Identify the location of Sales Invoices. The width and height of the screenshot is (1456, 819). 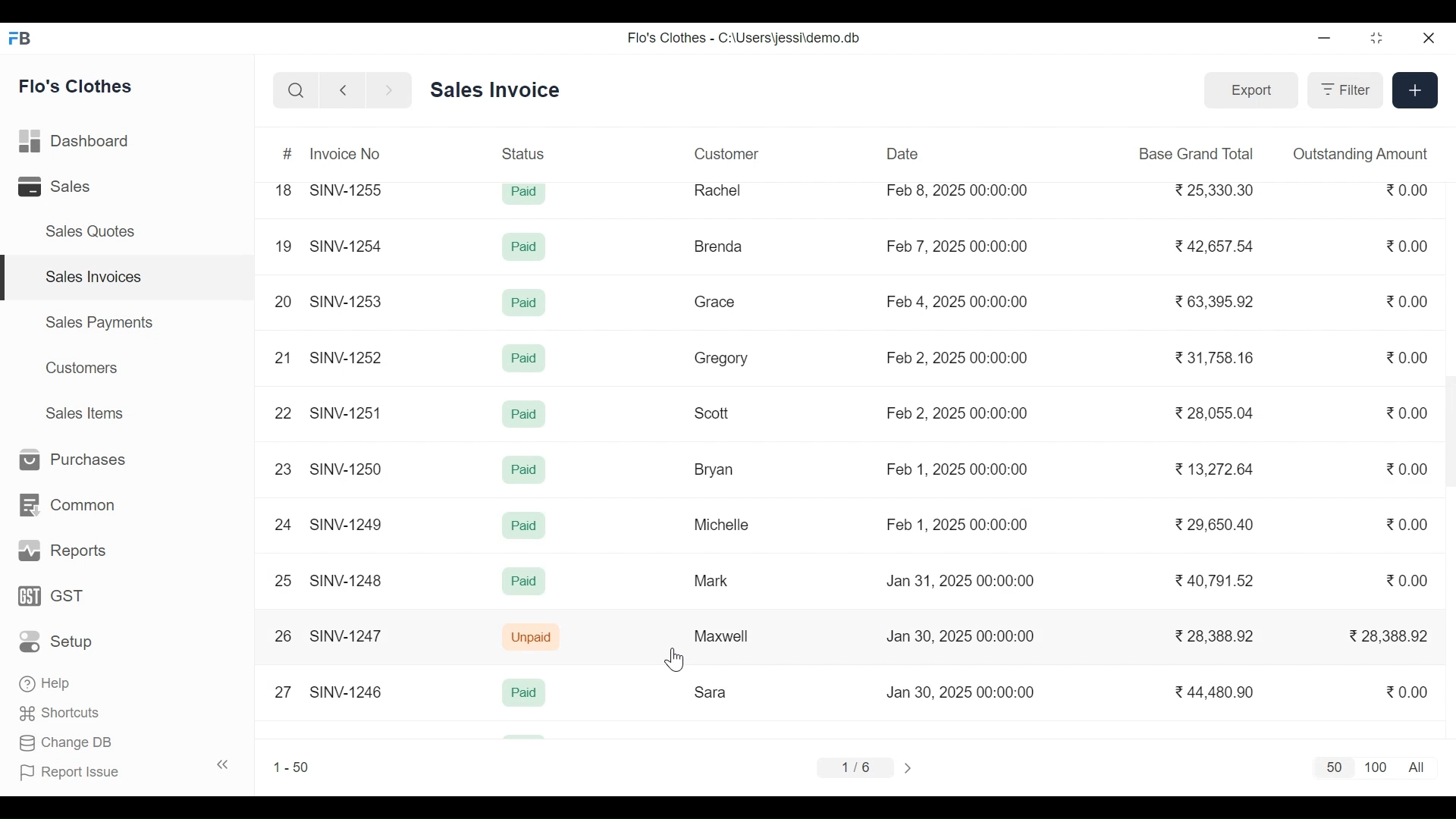
(129, 278).